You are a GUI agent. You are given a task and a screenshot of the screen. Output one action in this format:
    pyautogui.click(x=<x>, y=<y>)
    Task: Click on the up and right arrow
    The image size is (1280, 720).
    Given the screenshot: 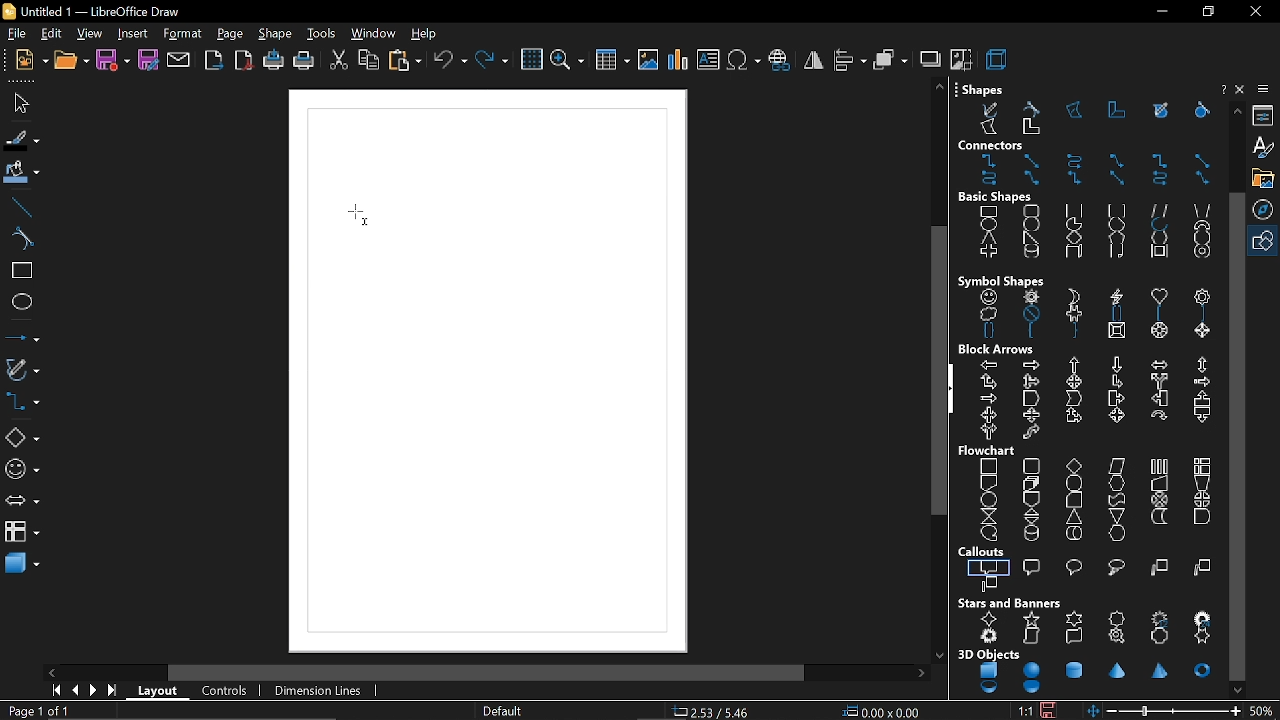 What is the action you would take?
    pyautogui.click(x=989, y=381)
    